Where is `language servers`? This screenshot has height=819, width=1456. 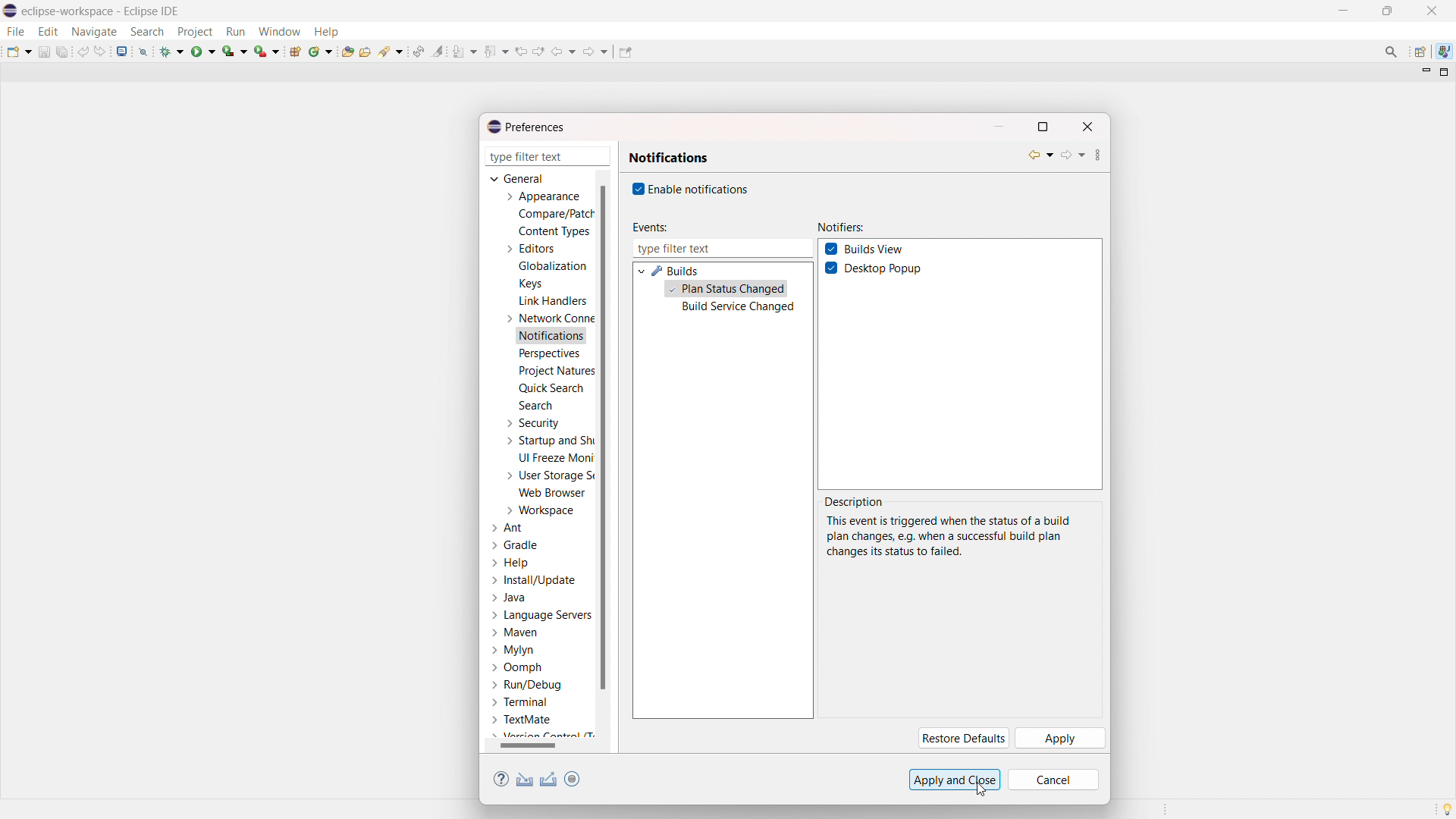 language servers is located at coordinates (541, 615).